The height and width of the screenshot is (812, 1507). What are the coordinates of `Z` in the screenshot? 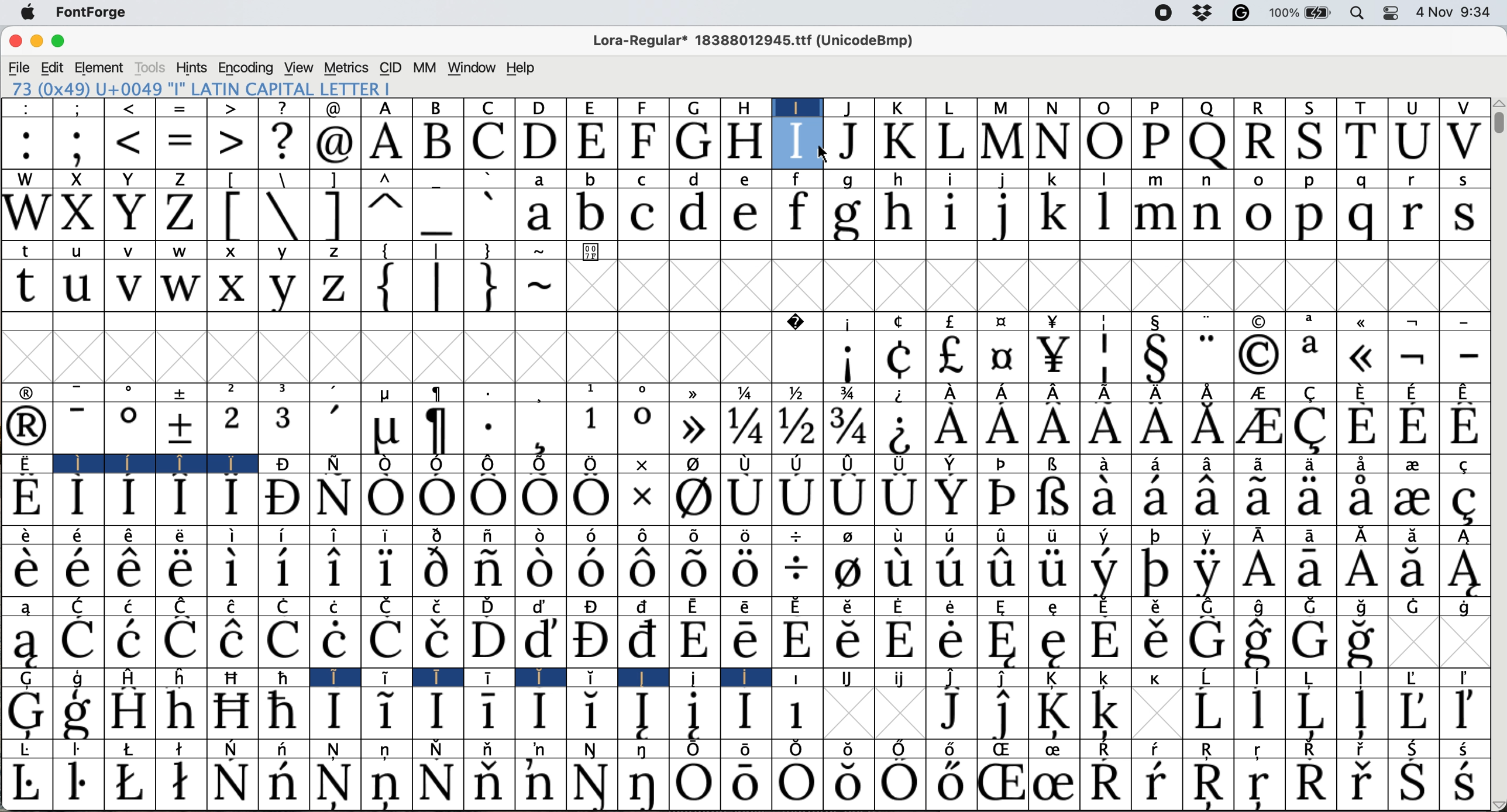 It's located at (182, 215).